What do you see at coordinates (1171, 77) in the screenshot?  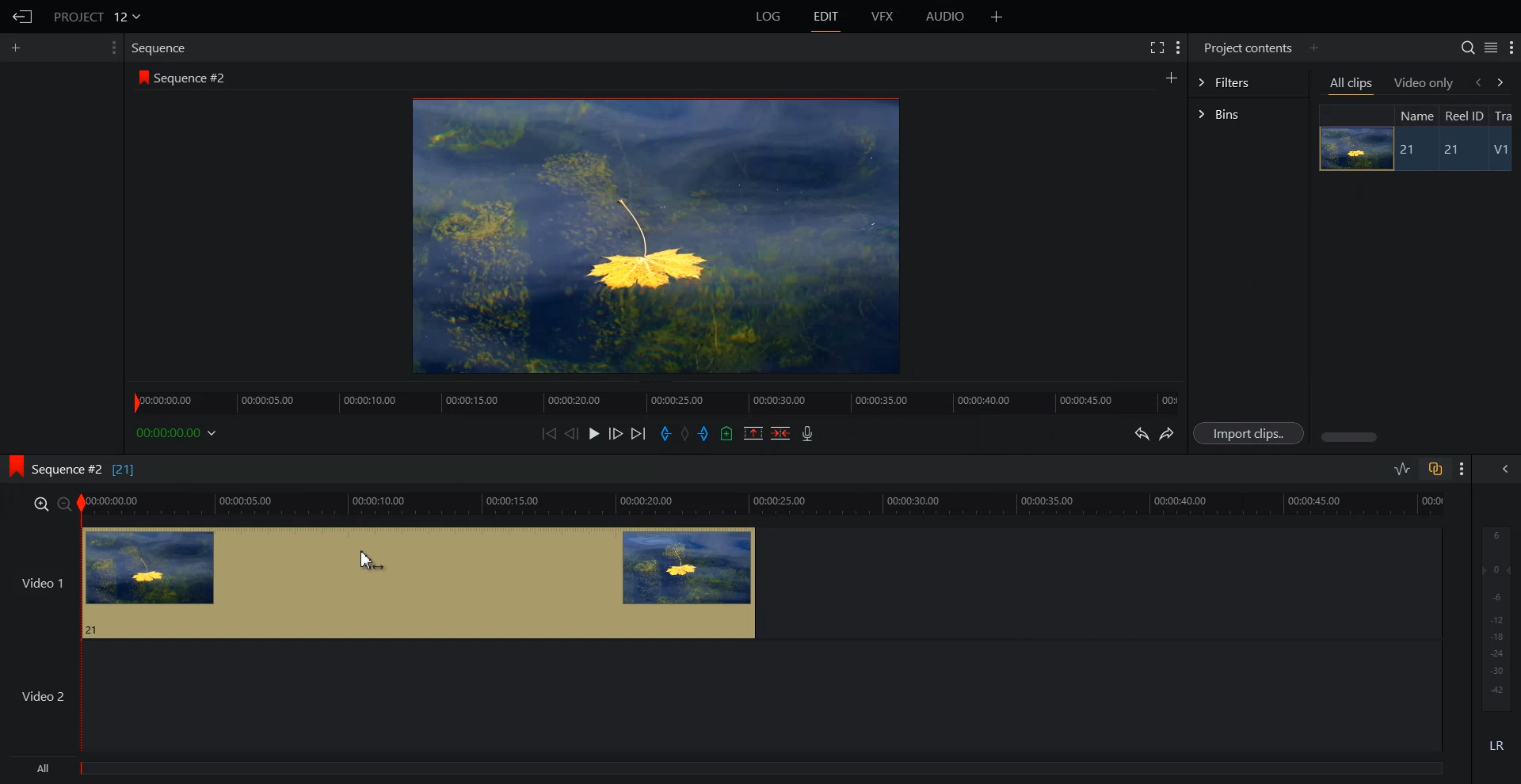 I see `Add panel` at bounding box center [1171, 77].